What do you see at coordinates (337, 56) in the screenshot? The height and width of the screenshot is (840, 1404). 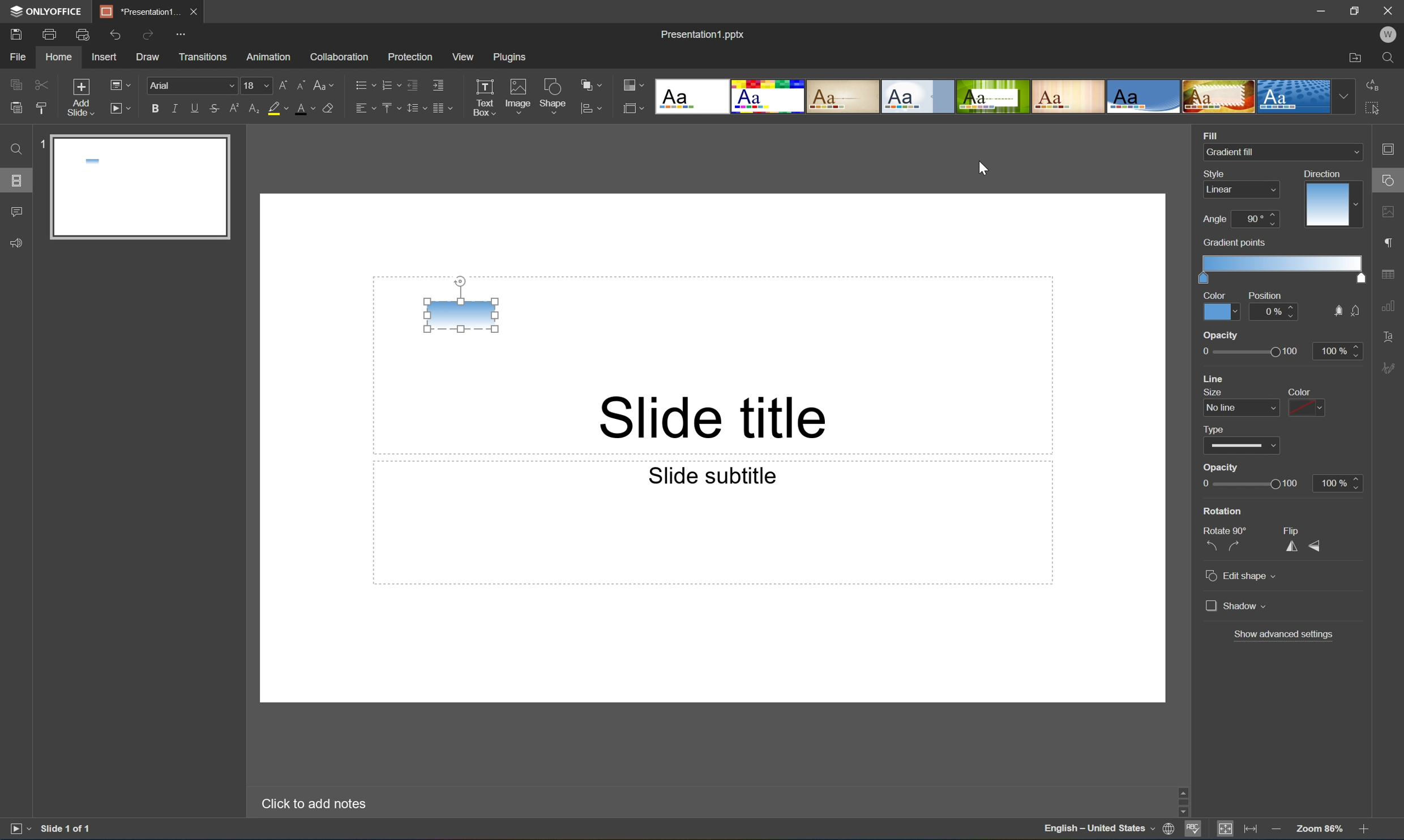 I see `Collaboration` at bounding box center [337, 56].